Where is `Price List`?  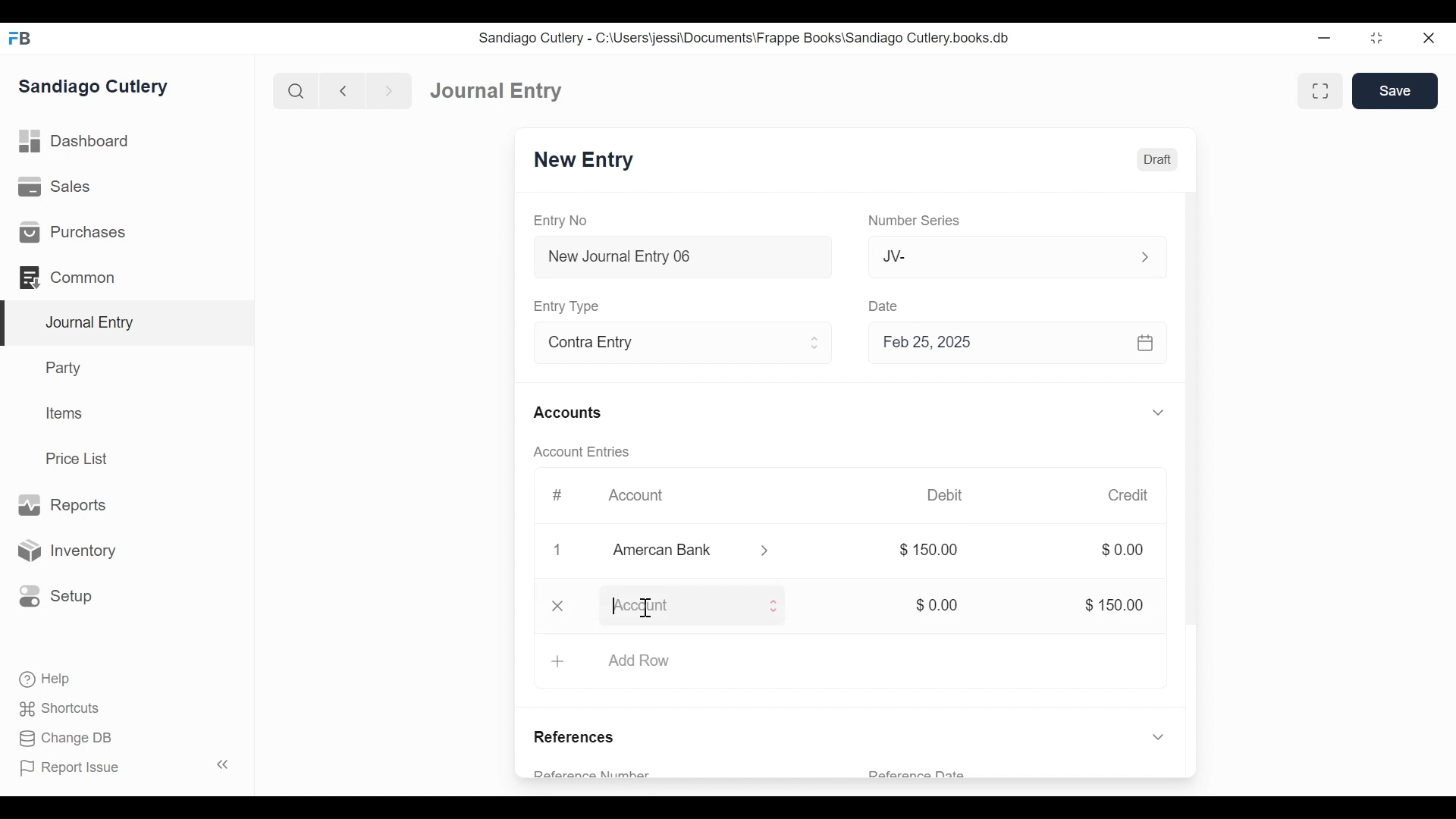
Price List is located at coordinates (82, 459).